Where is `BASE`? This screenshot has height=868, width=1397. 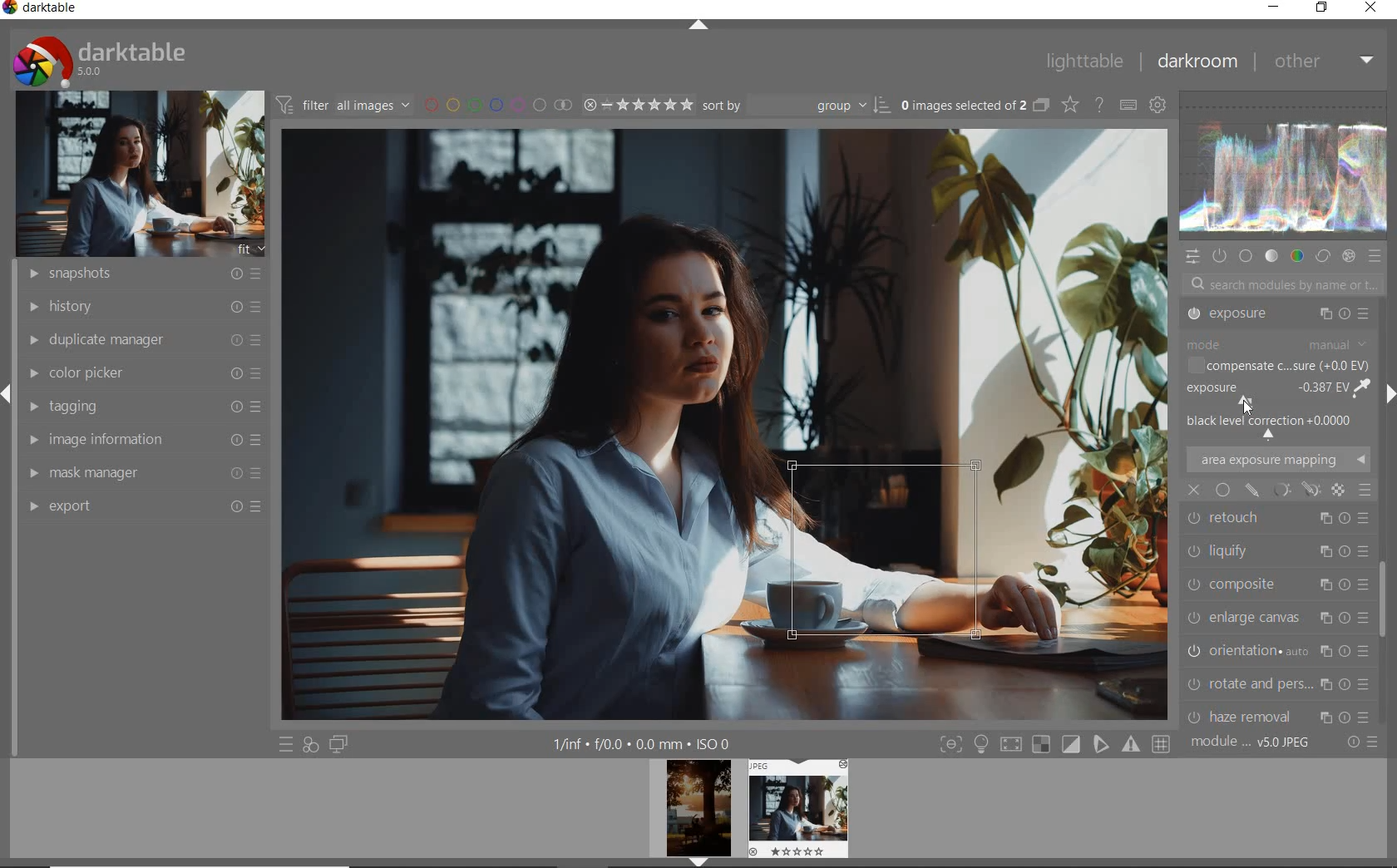 BASE is located at coordinates (1246, 257).